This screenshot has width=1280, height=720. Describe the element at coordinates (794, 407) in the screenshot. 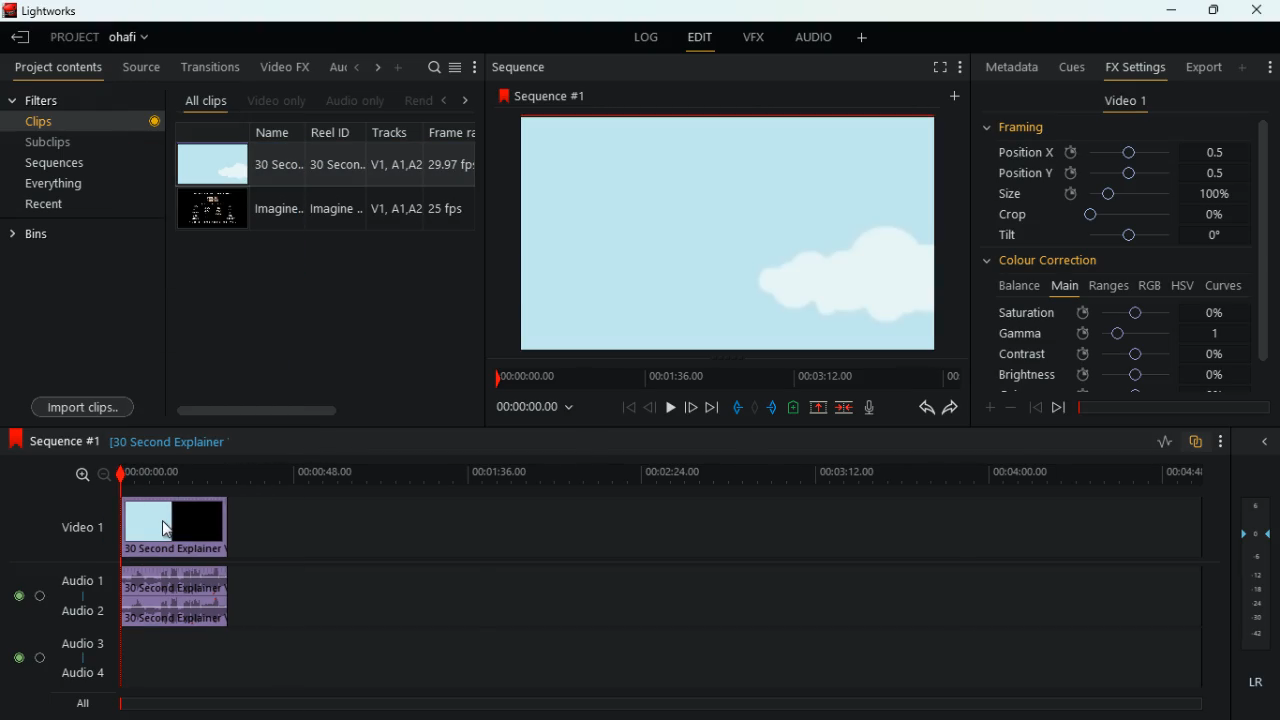

I see `charge` at that location.